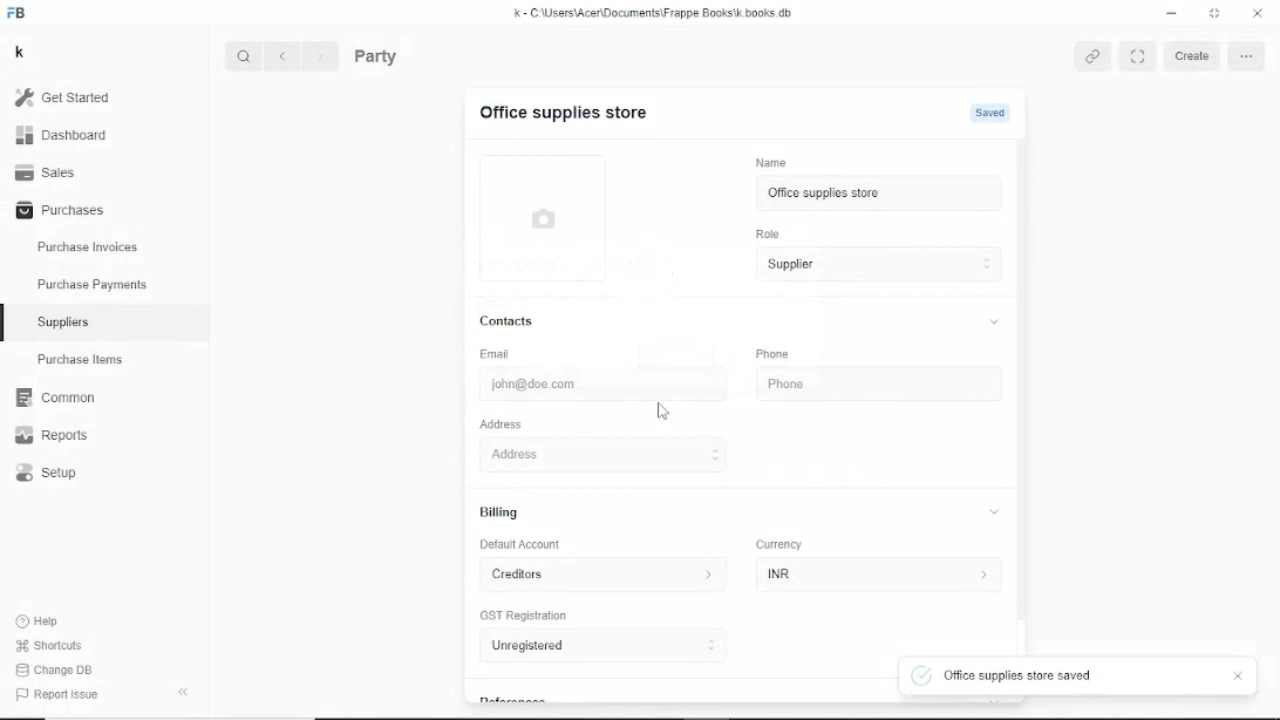  What do you see at coordinates (87, 245) in the screenshot?
I see `Purchase invoices` at bounding box center [87, 245].